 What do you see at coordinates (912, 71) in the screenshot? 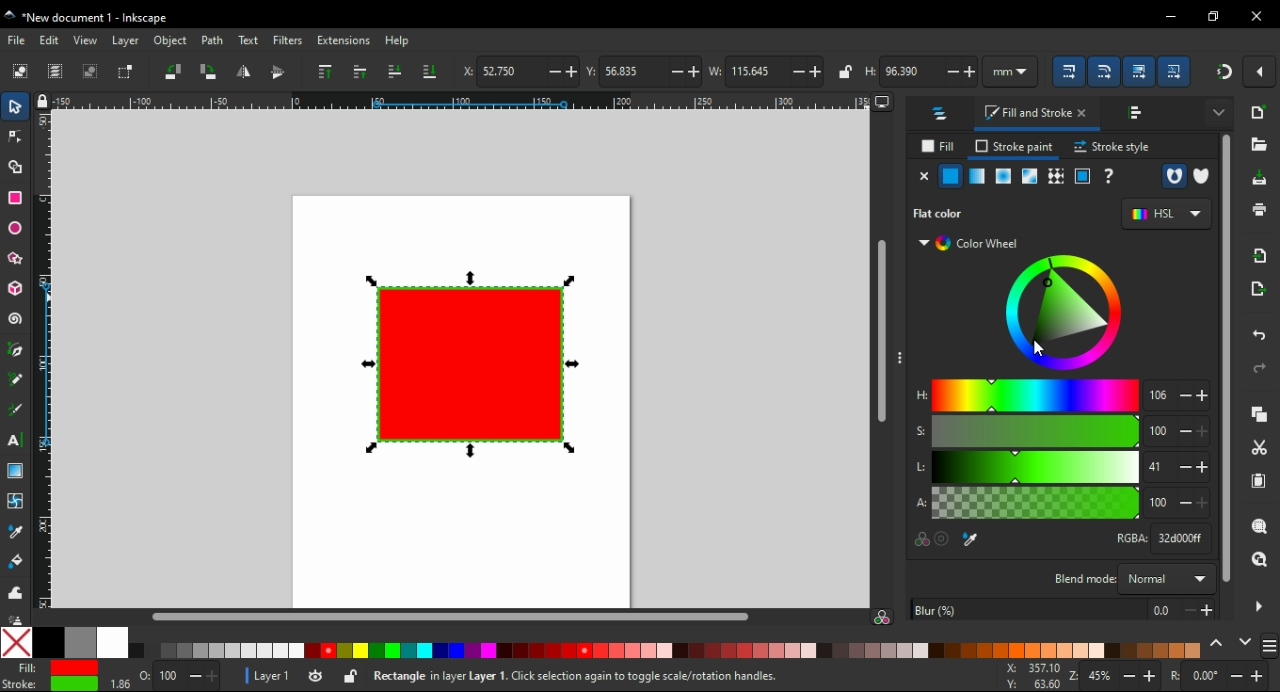
I see `96` at bounding box center [912, 71].